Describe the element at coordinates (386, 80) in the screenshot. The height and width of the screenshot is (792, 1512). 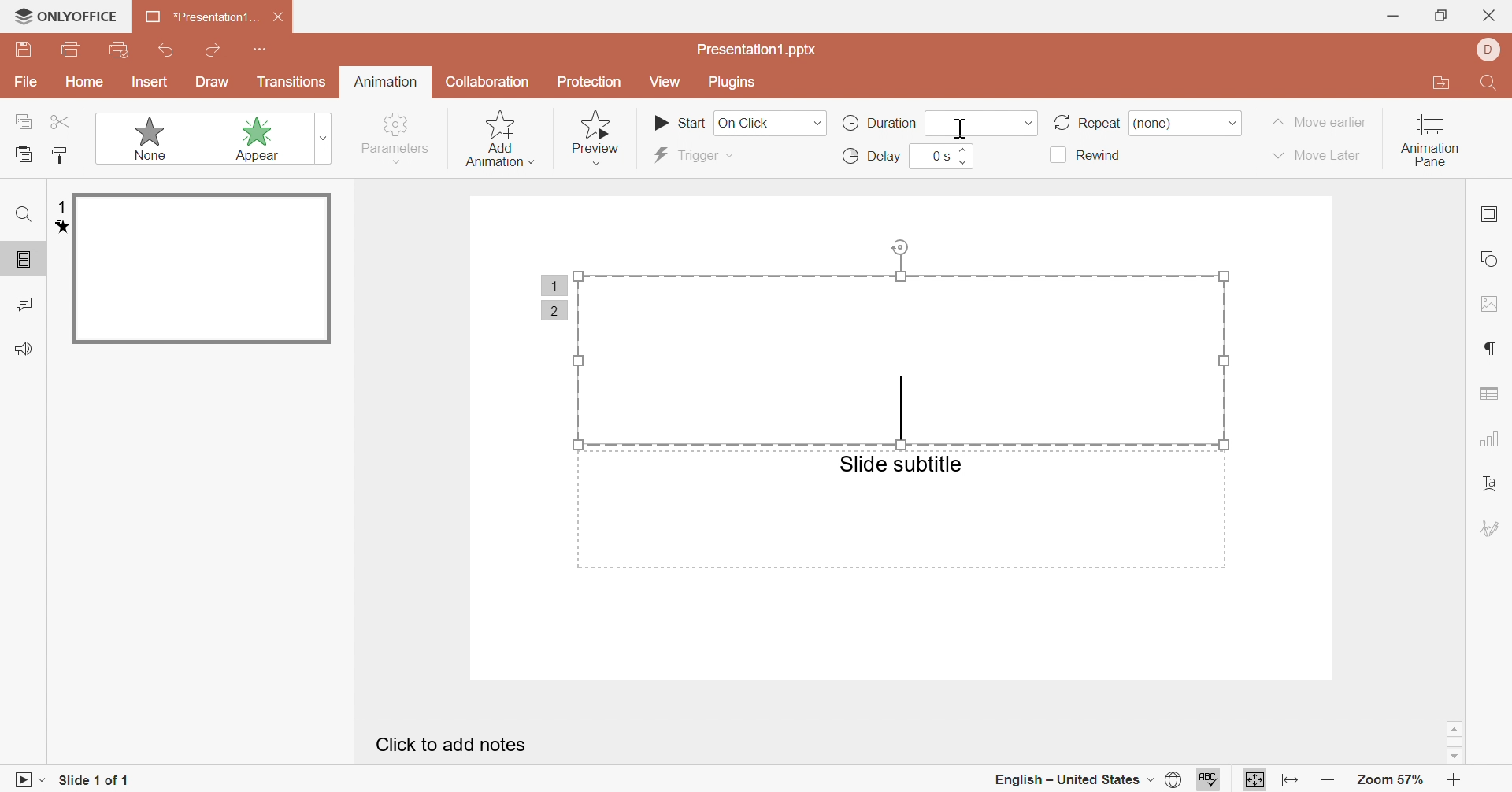
I see `animation` at that location.